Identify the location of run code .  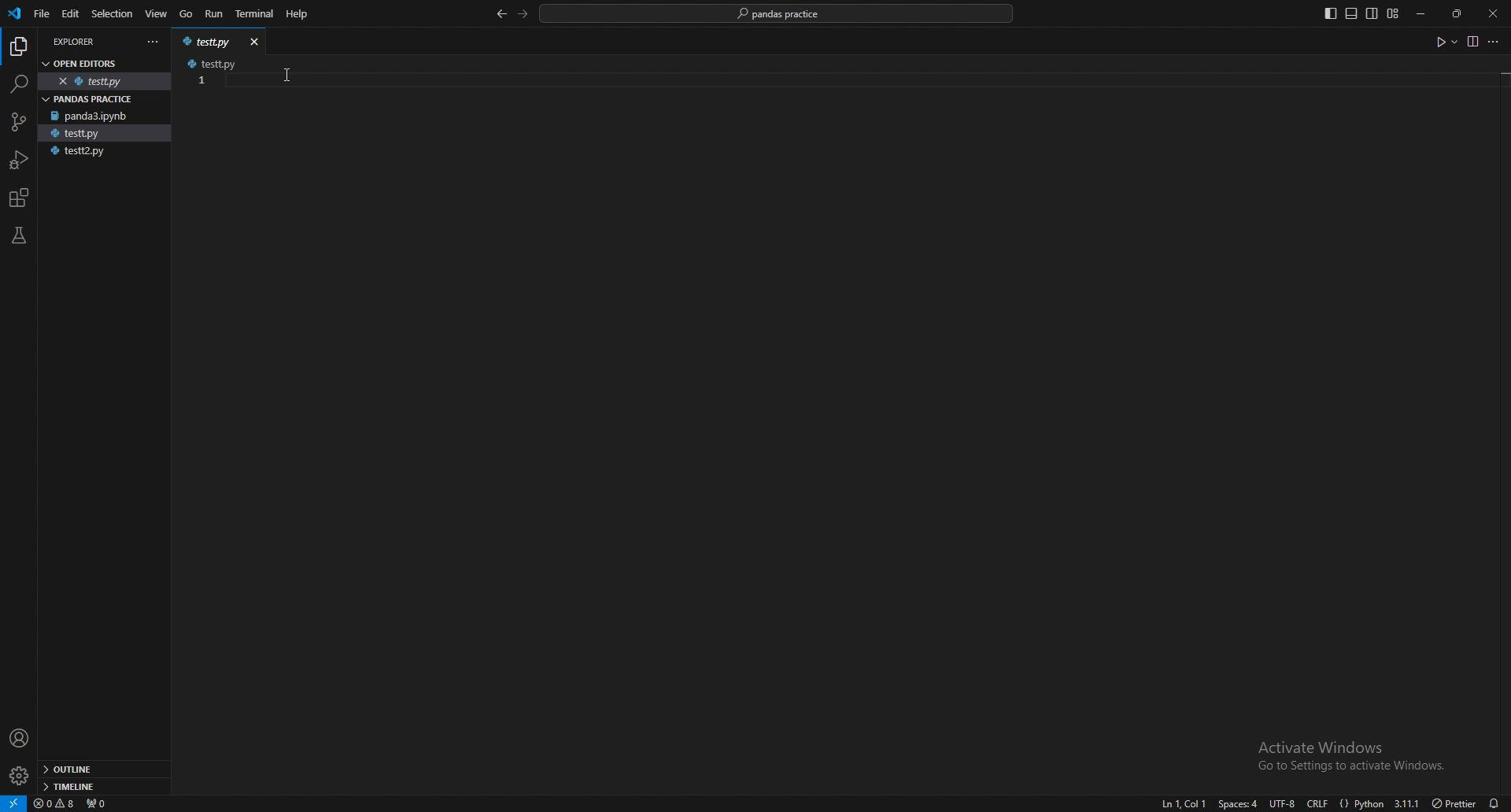
(1445, 42).